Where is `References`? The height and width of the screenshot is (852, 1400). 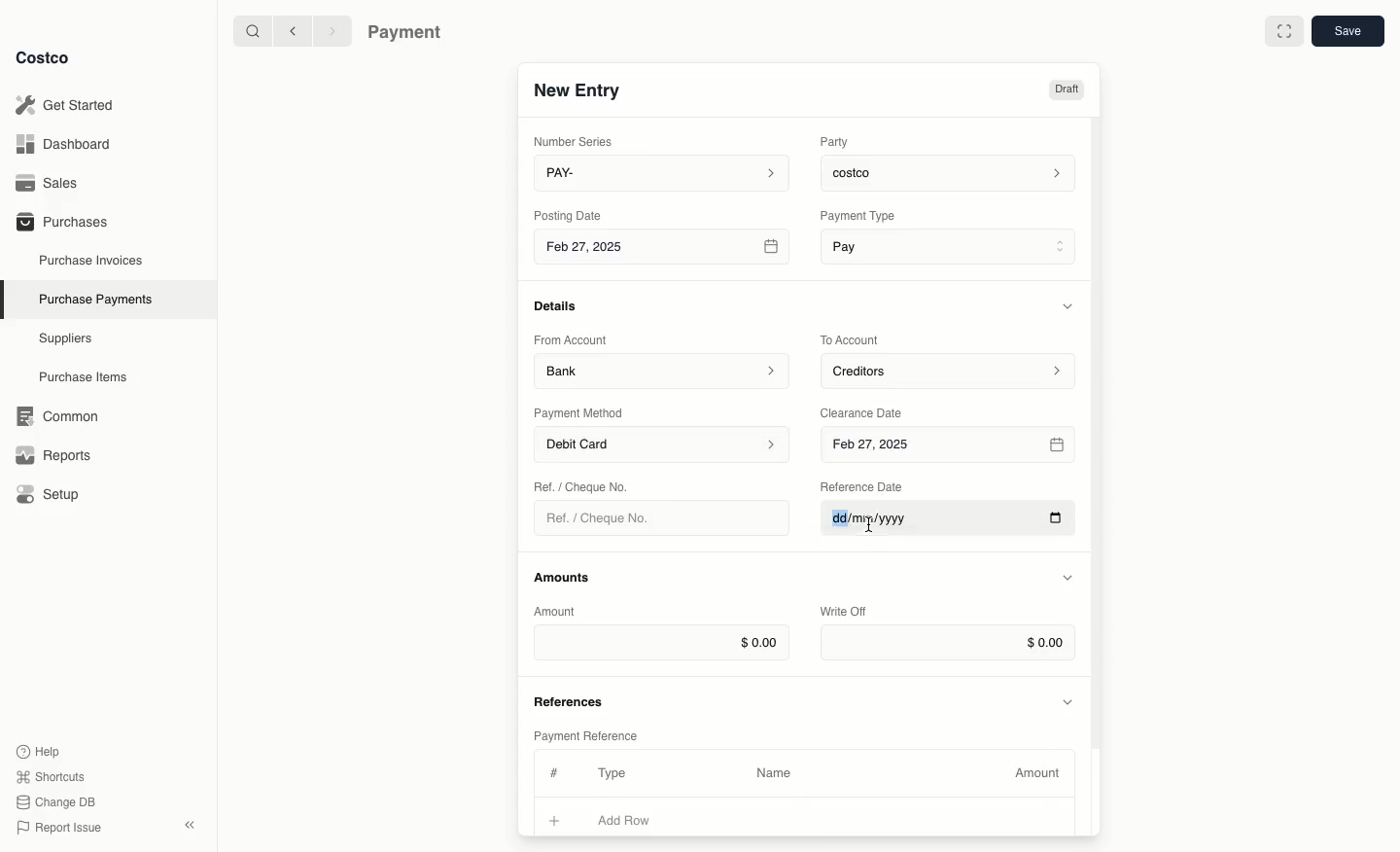
References is located at coordinates (572, 699).